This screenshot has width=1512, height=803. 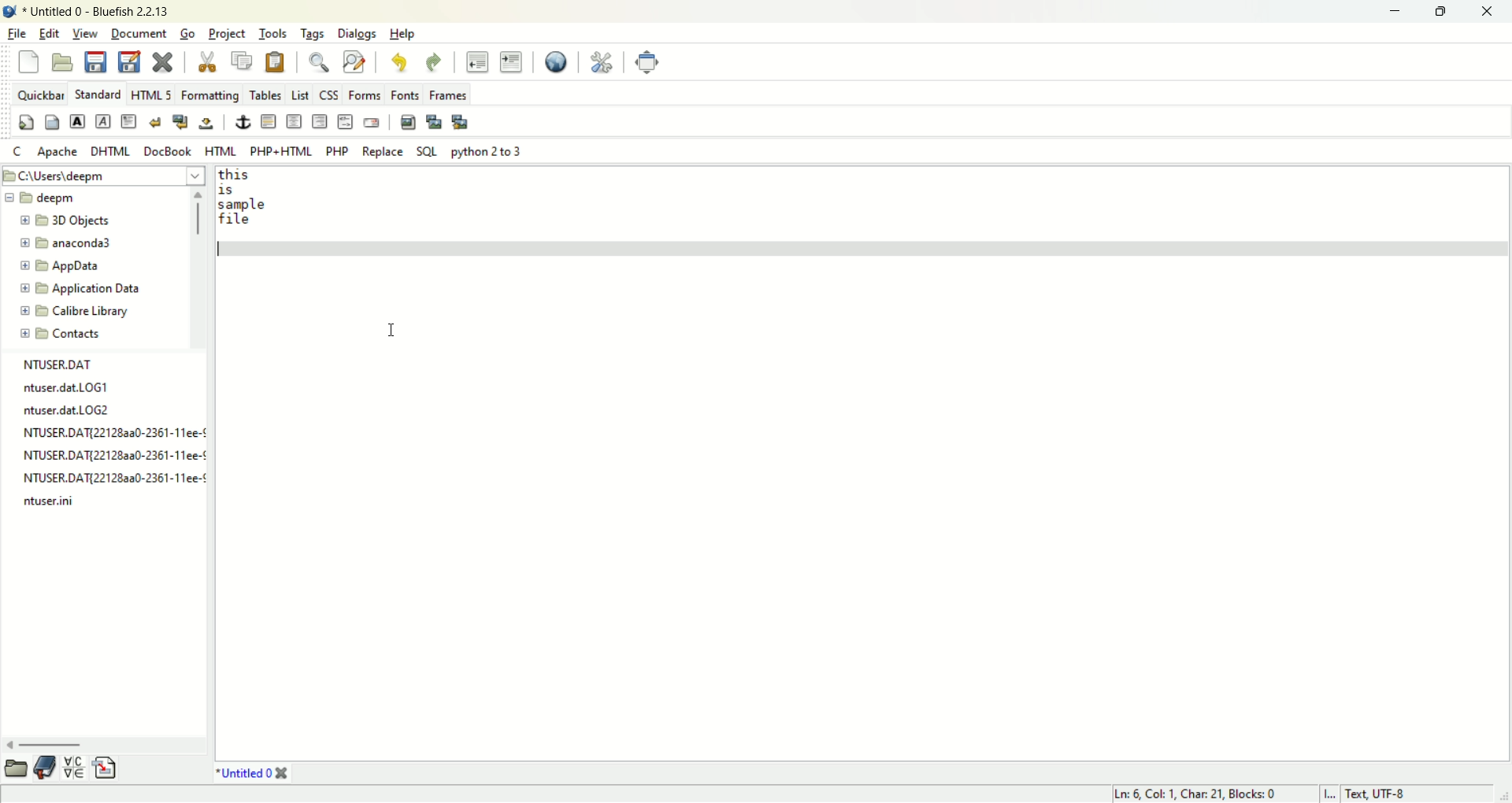 What do you see at coordinates (336, 150) in the screenshot?
I see `PHP` at bounding box center [336, 150].